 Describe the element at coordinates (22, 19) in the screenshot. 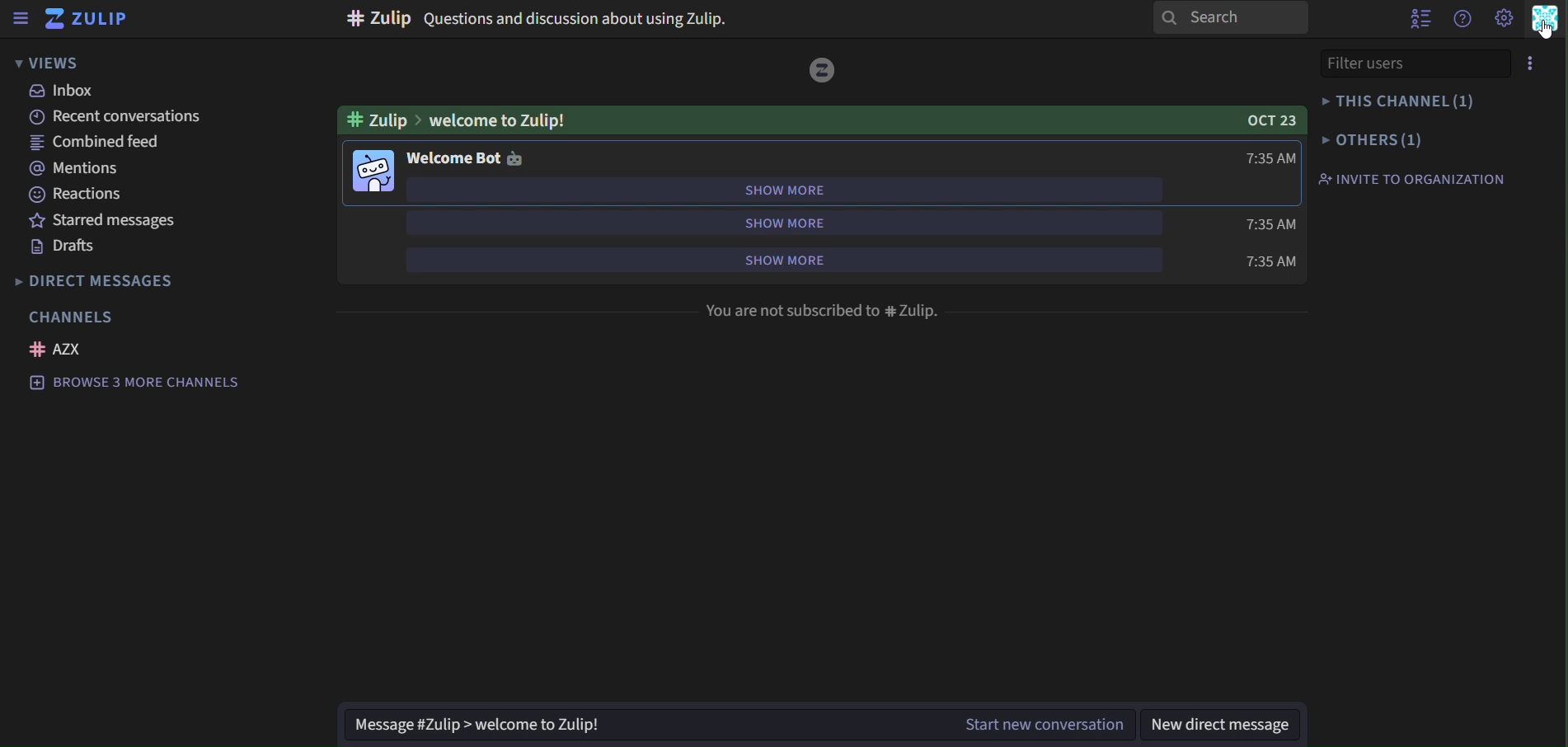

I see `sidebar` at that location.